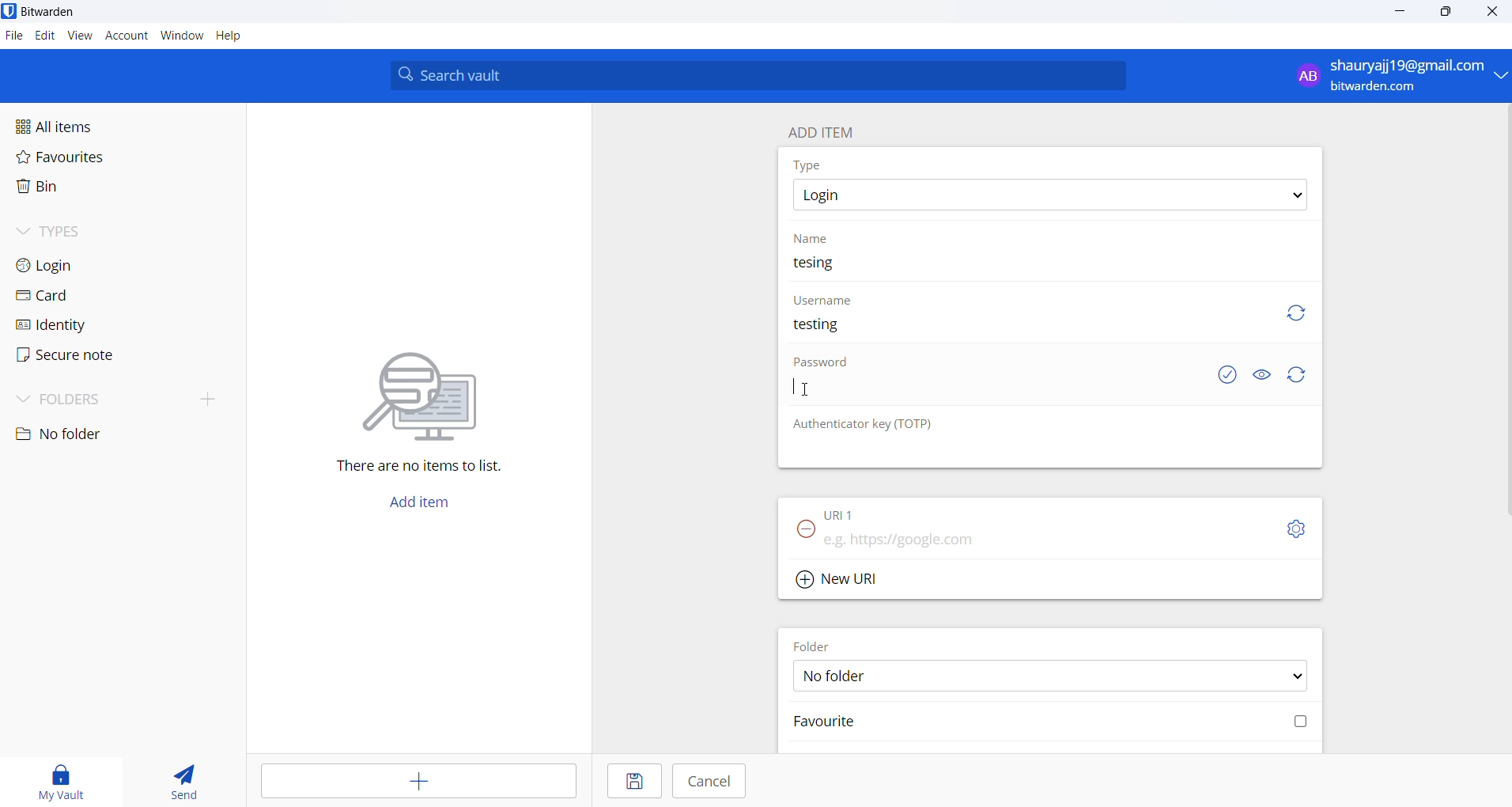 The height and width of the screenshot is (807, 1512). I want to click on  generate username, so click(1296, 311).